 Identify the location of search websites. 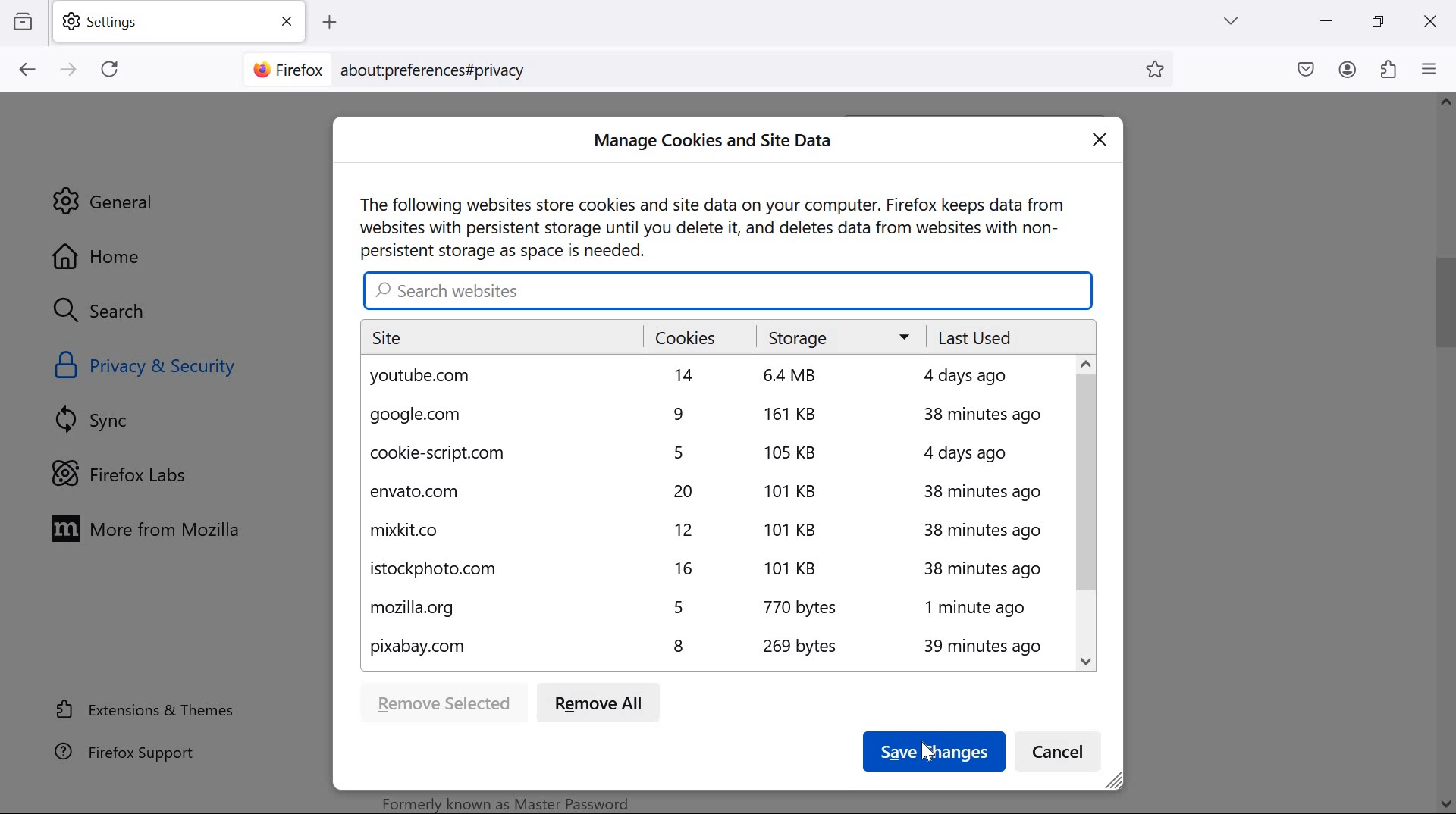
(728, 289).